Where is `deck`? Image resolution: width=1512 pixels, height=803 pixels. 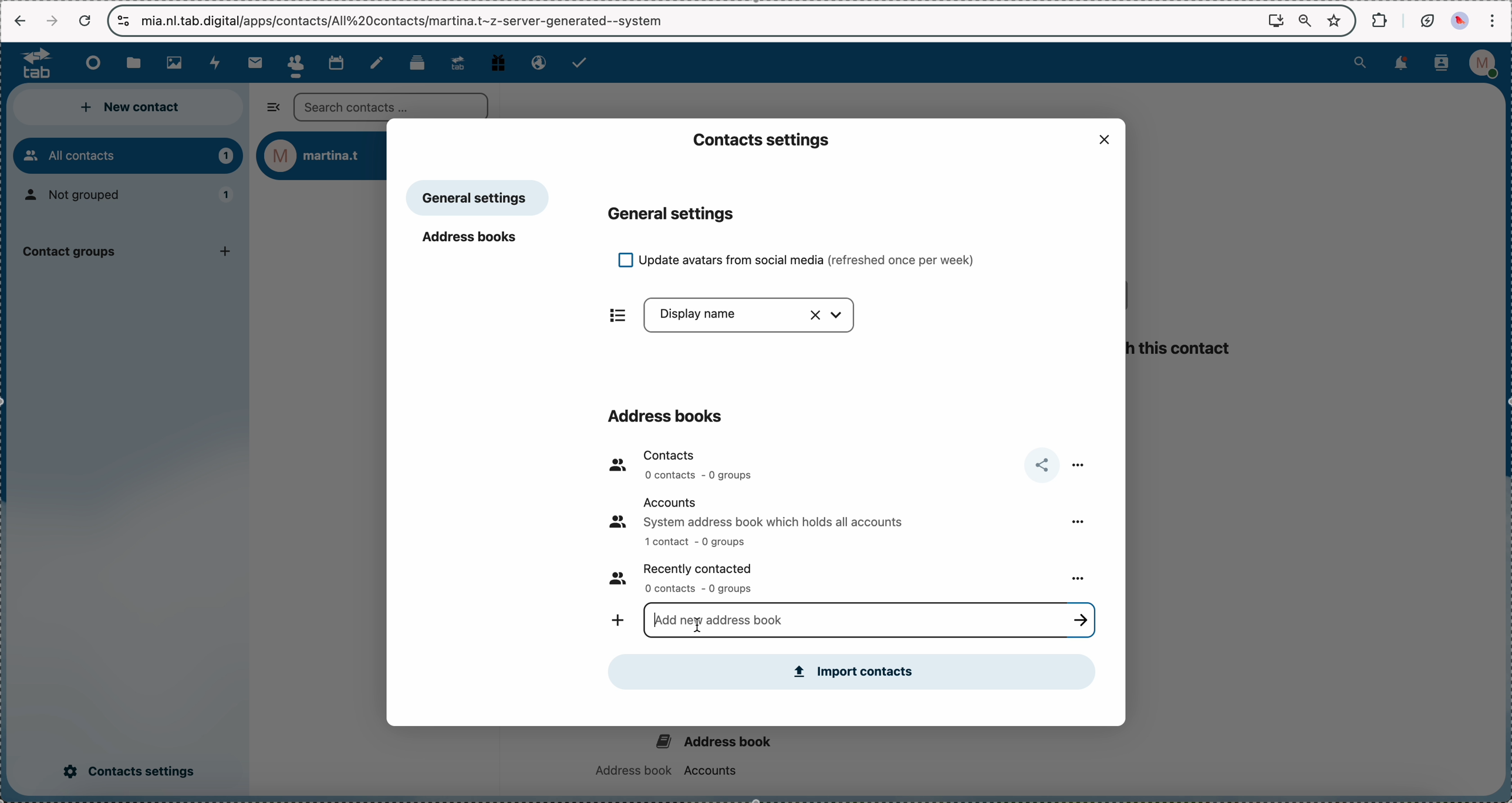 deck is located at coordinates (416, 63).